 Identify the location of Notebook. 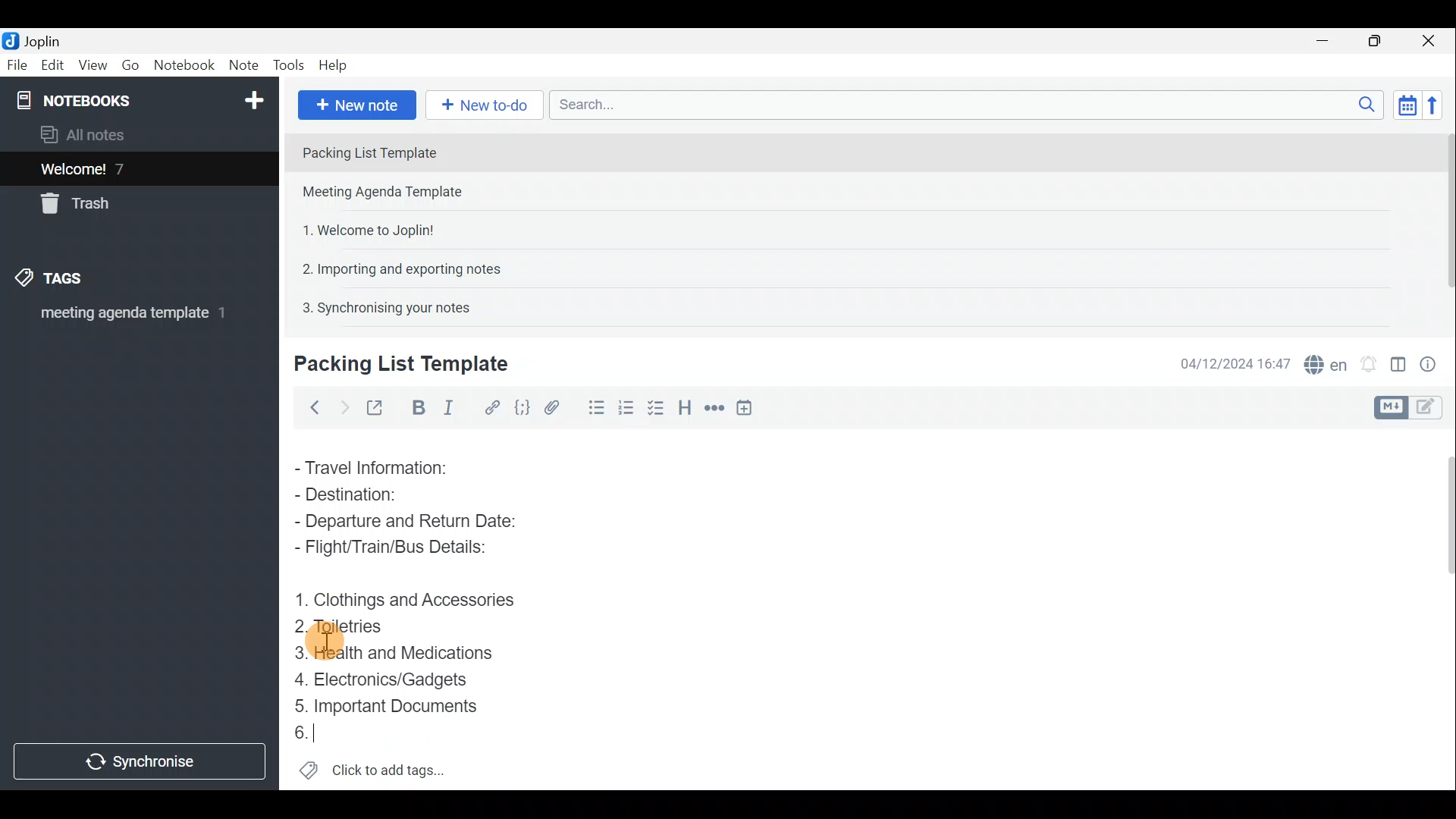
(184, 67).